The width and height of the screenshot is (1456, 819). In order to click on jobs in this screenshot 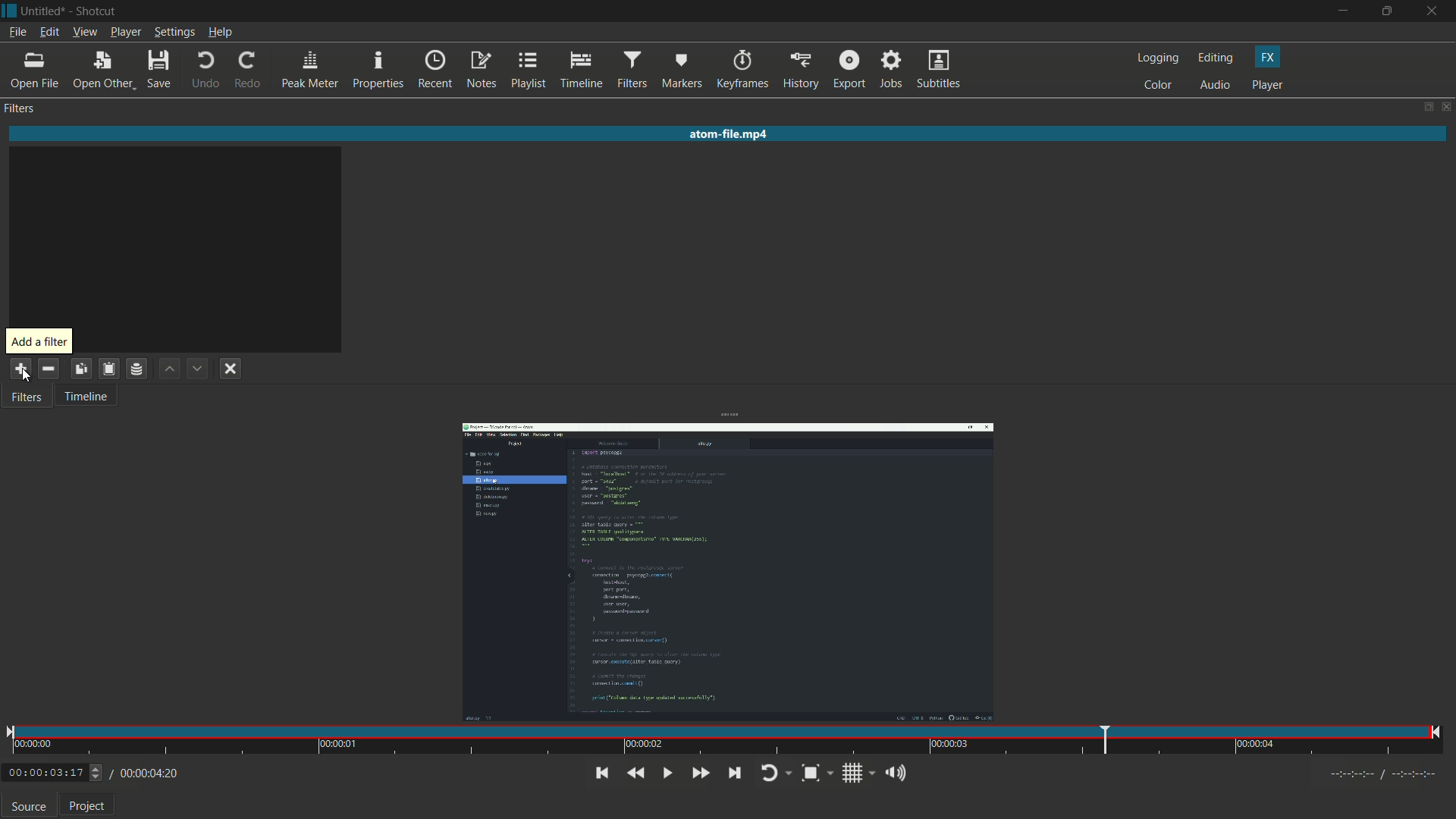, I will do `click(893, 68)`.